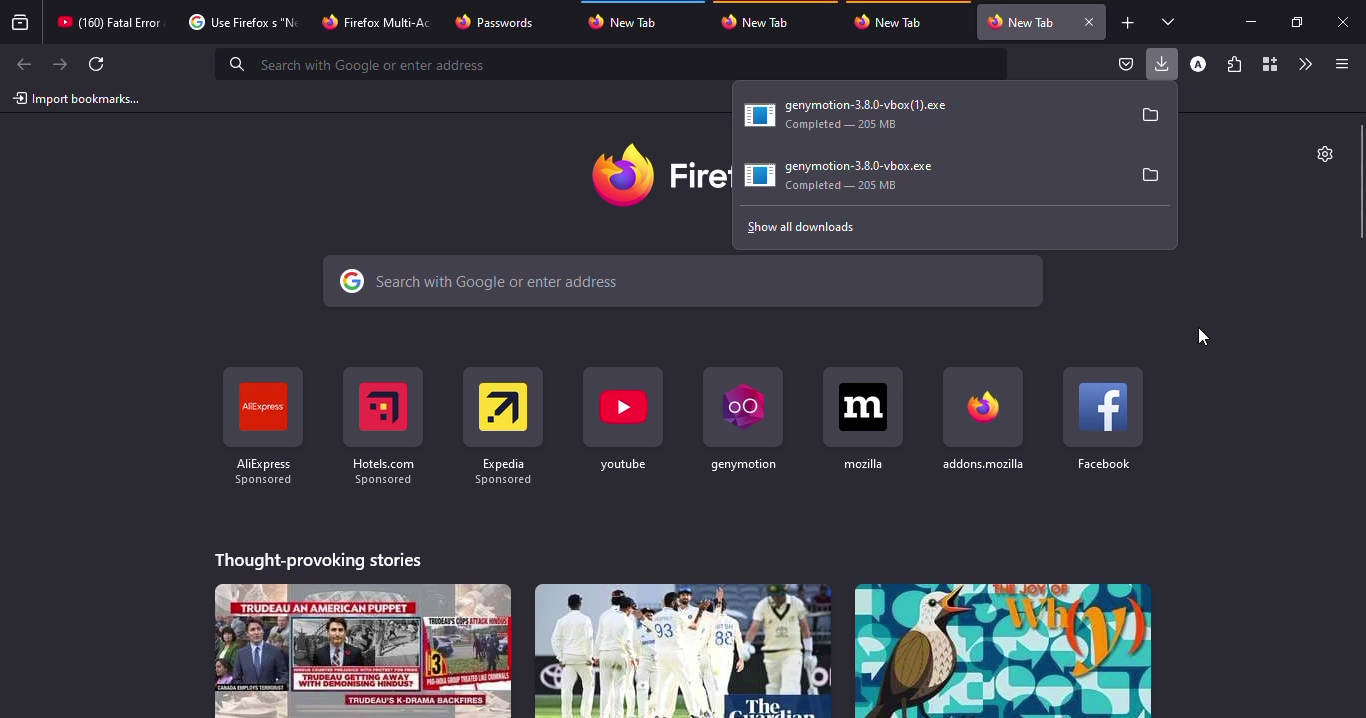 Image resolution: width=1366 pixels, height=718 pixels. Describe the element at coordinates (1002, 650) in the screenshot. I see `stories` at that location.